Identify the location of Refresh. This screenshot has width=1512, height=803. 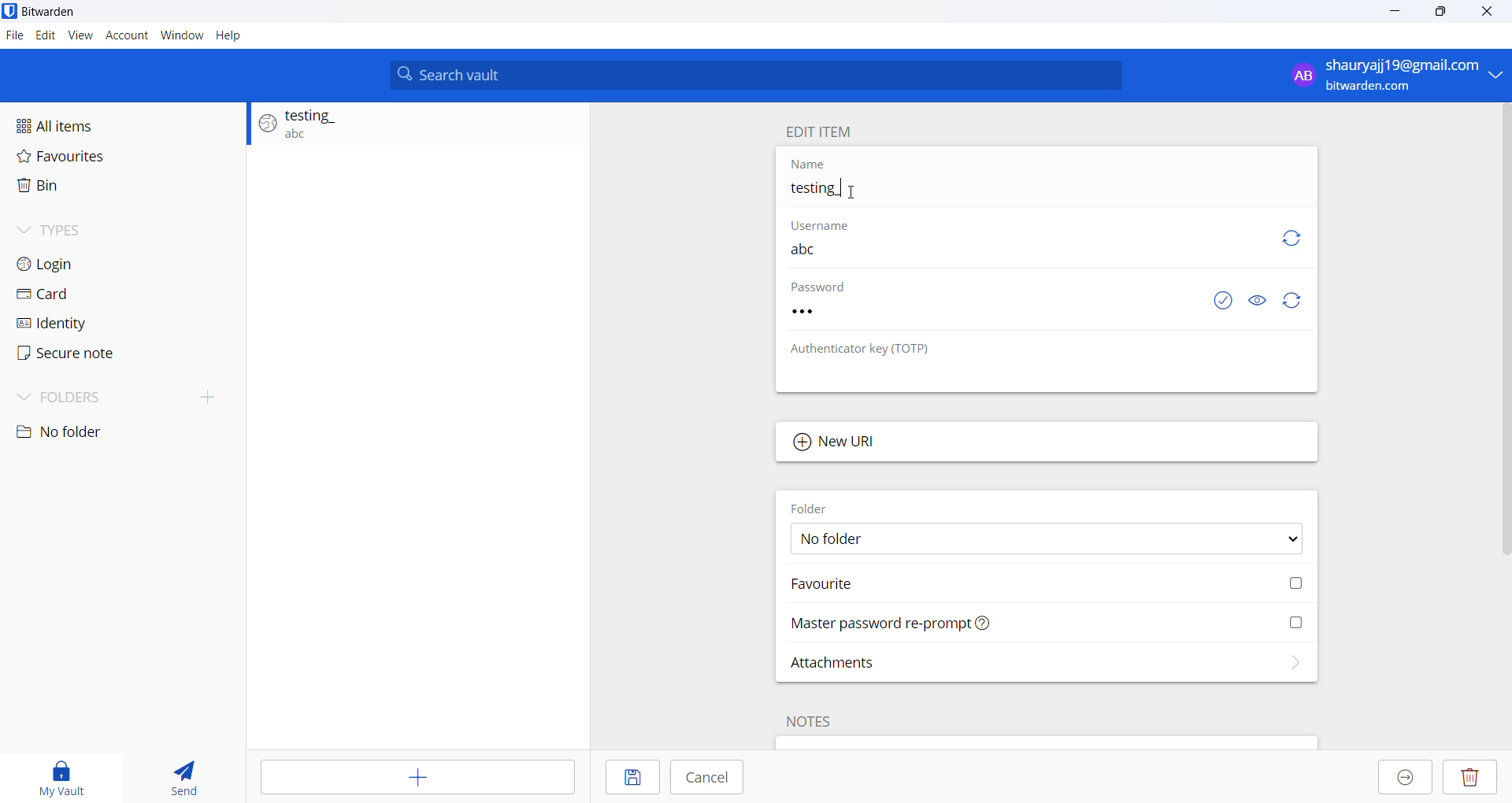
(1294, 303).